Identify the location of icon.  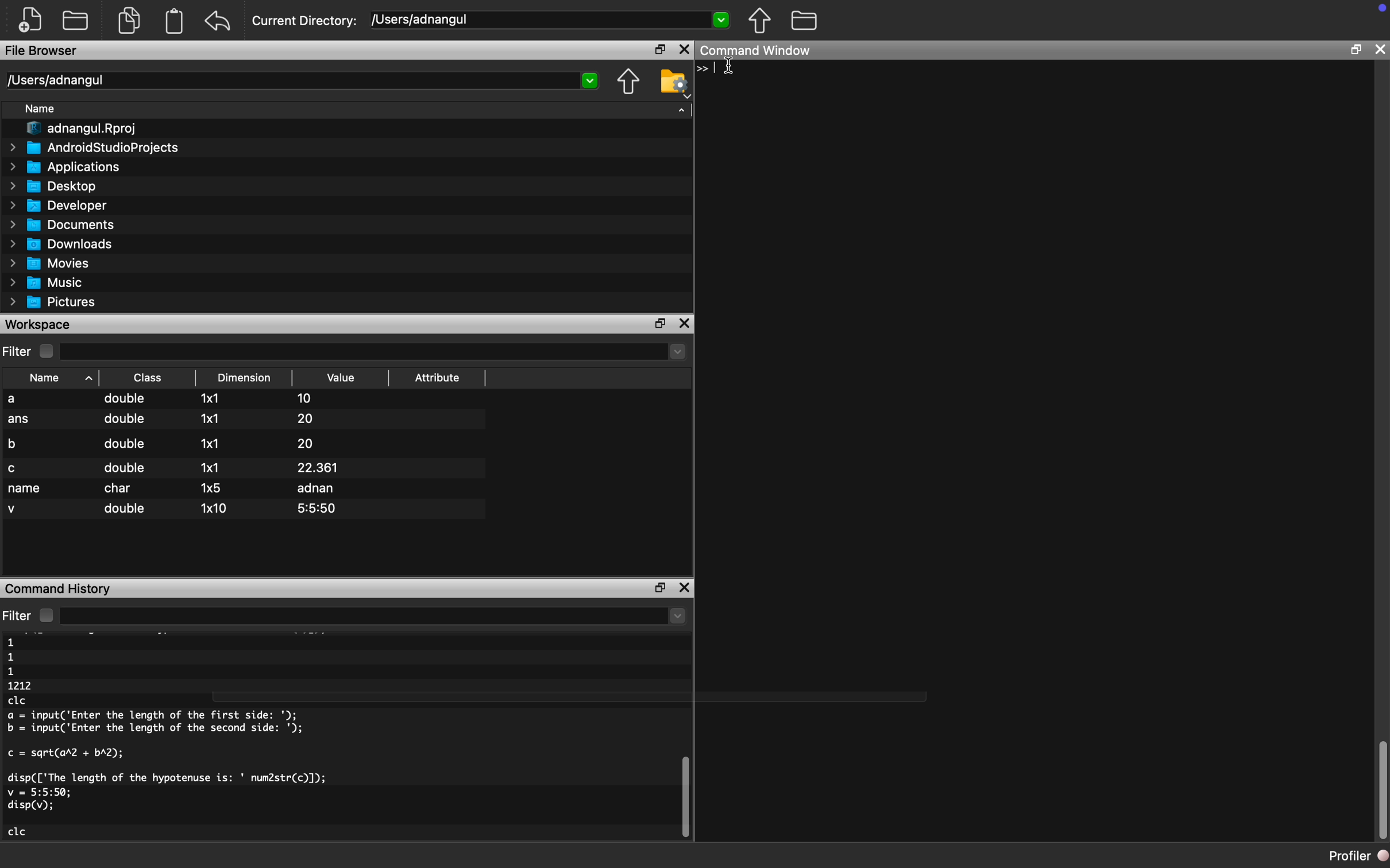
(1383, 7).